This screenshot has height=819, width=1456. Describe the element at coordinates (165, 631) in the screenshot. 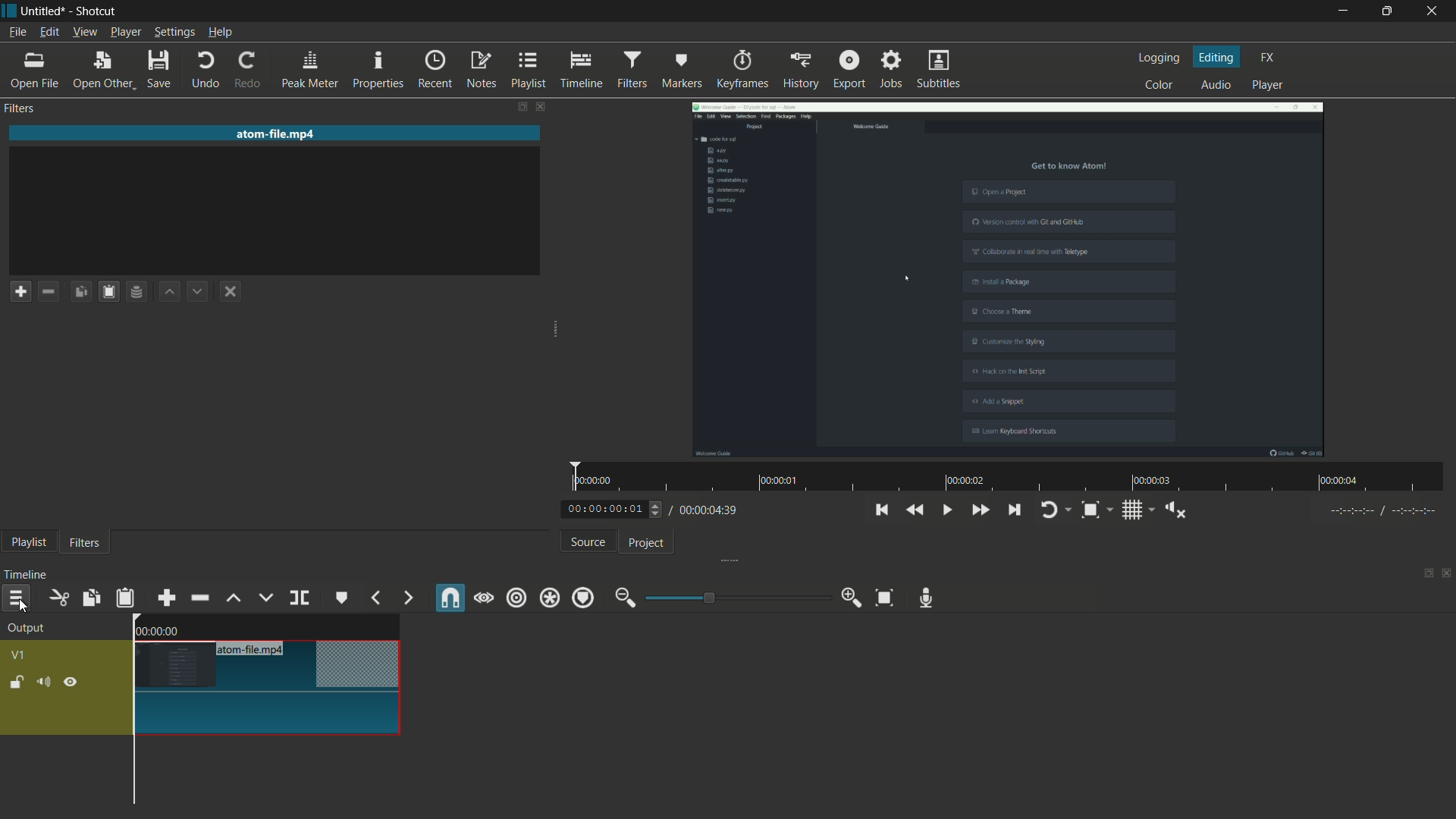

I see `time` at that location.